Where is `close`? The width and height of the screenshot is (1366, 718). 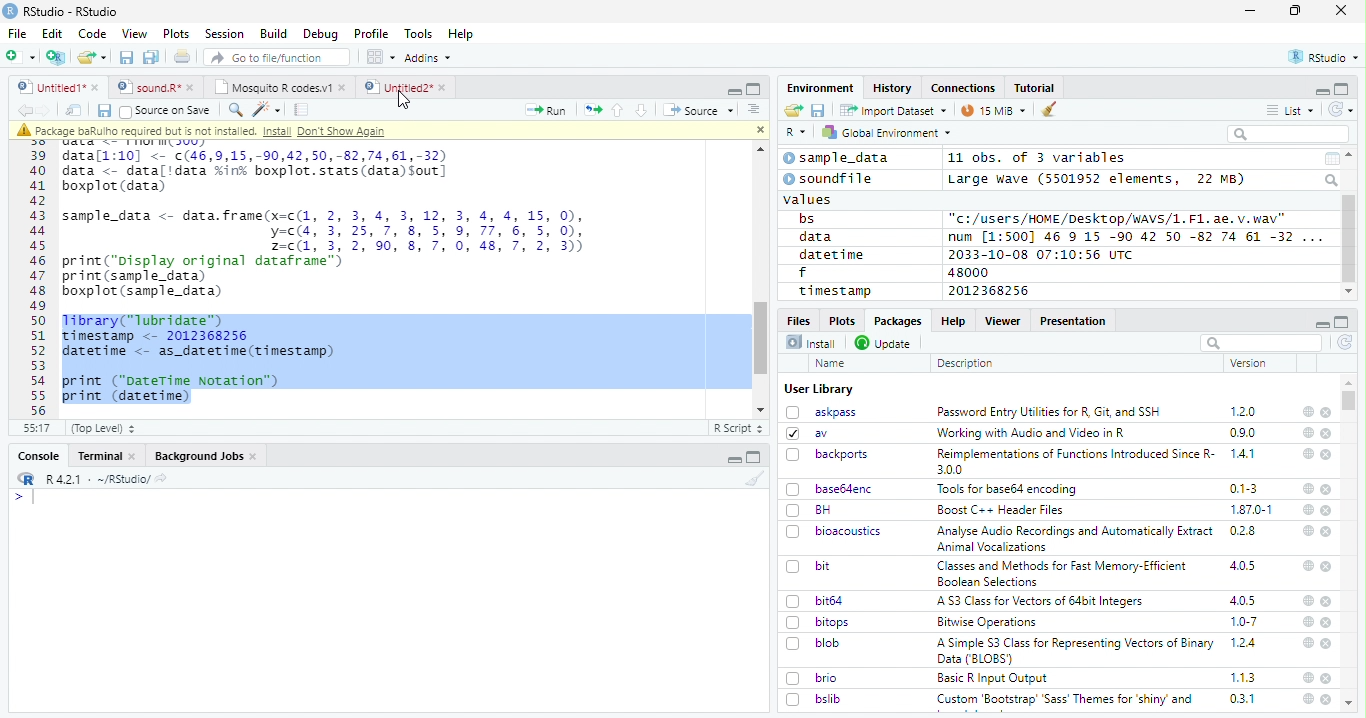 close is located at coordinates (757, 128).